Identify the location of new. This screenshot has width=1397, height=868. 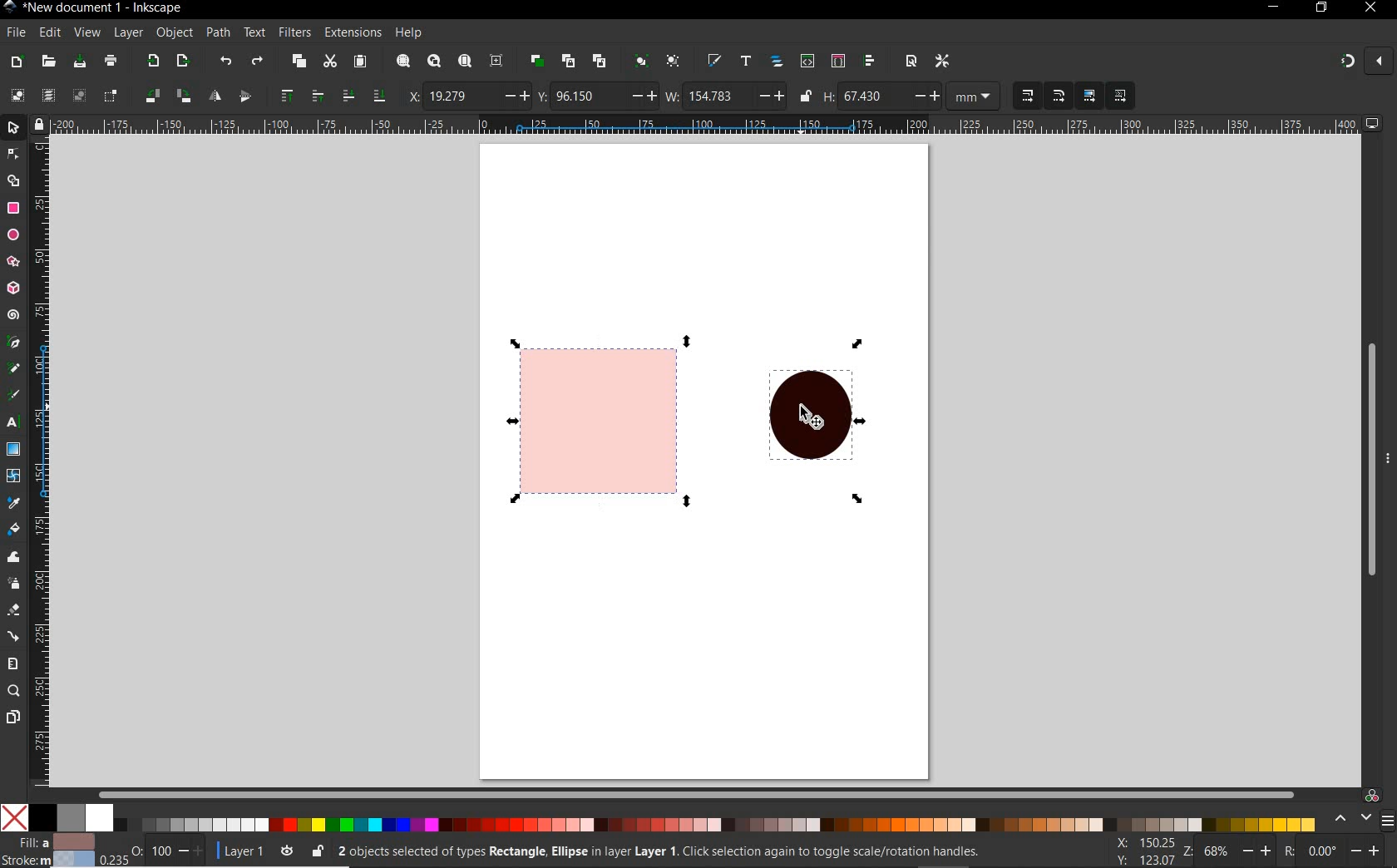
(17, 63).